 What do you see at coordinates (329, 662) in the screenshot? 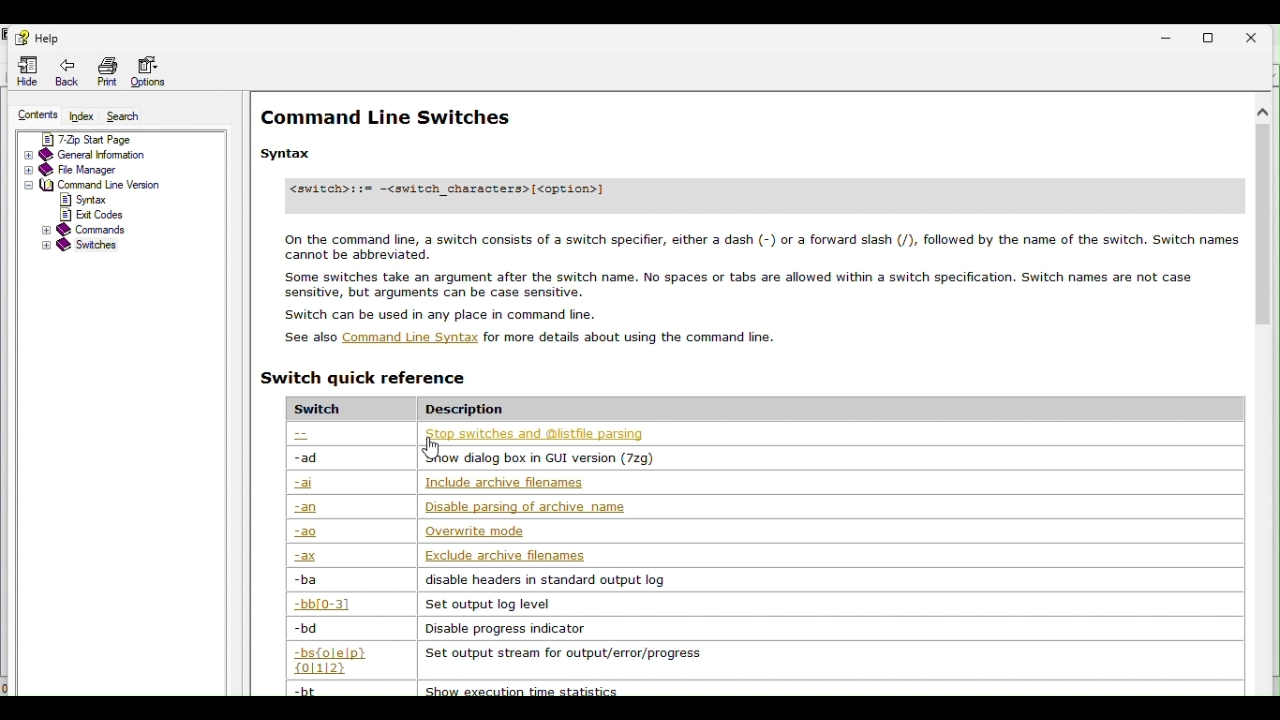
I see `-bs{o|e|p}{0|1|2}` at bounding box center [329, 662].